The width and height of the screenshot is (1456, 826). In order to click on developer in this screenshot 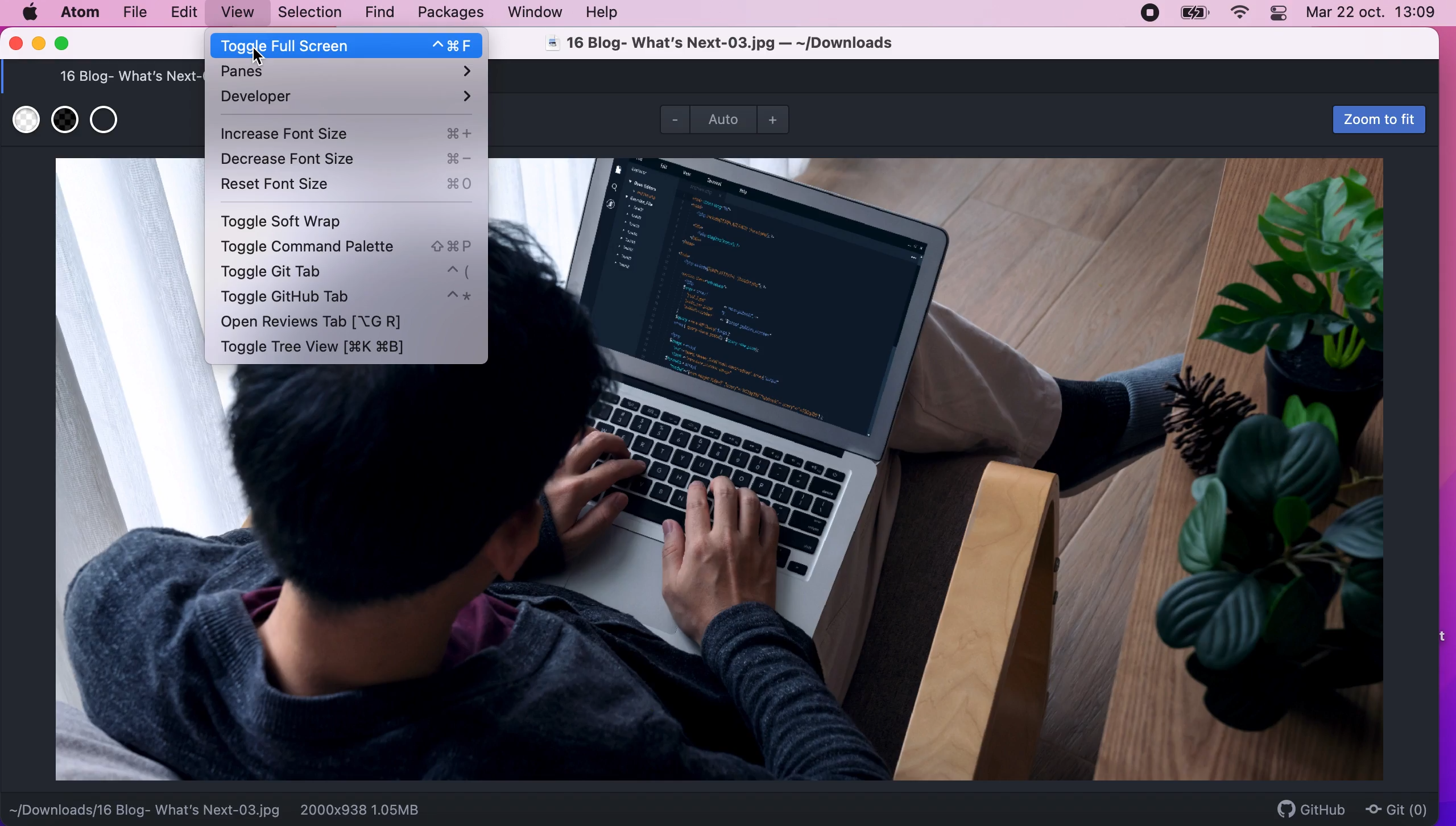, I will do `click(349, 97)`.